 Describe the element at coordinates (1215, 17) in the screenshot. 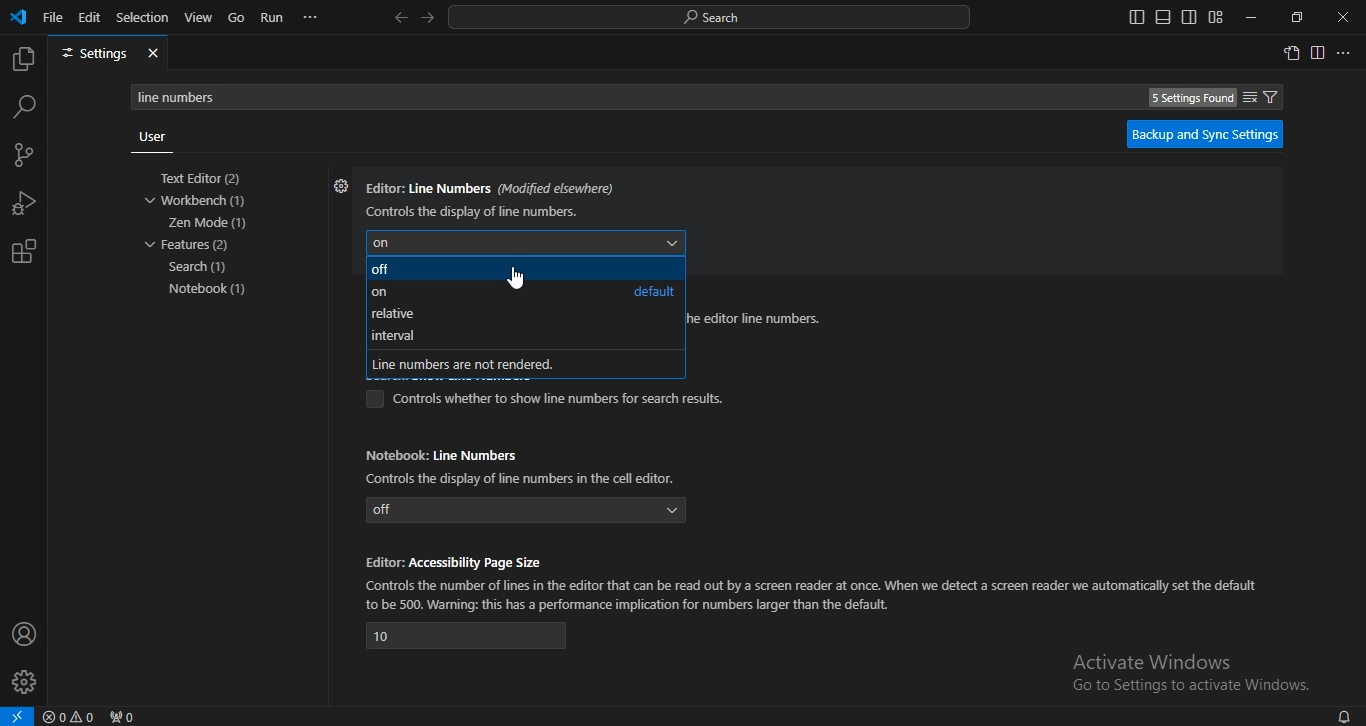

I see `customize layout` at that location.